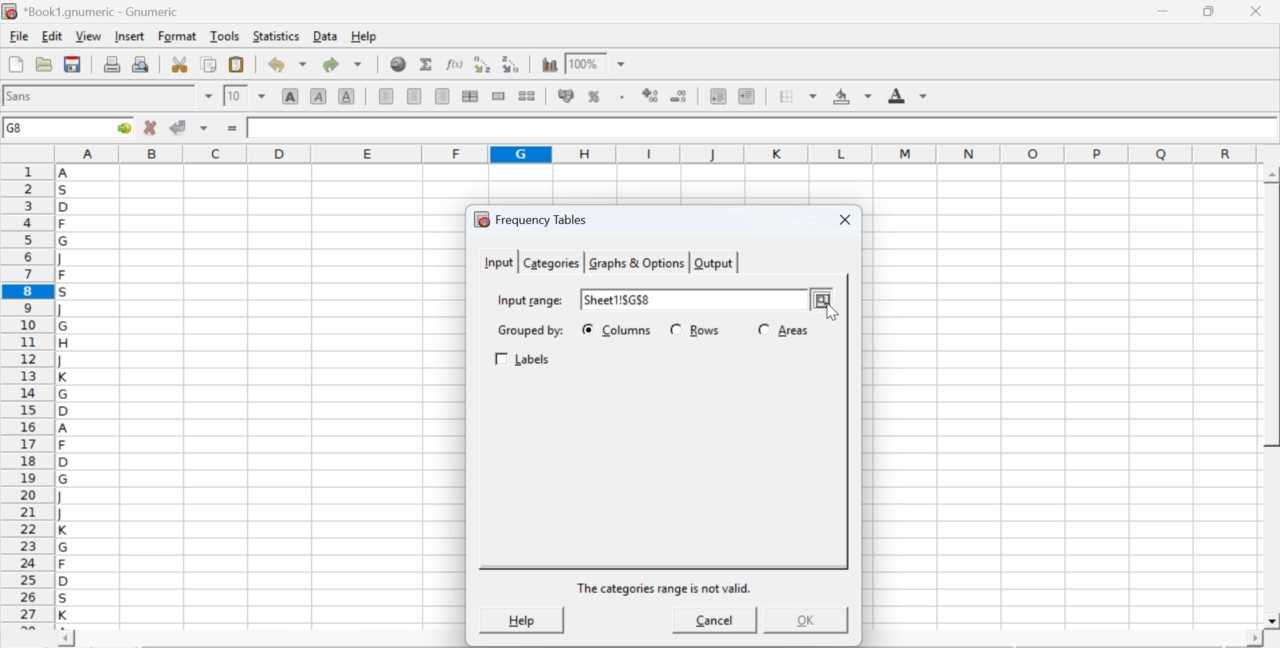 Image resolution: width=1280 pixels, height=648 pixels. What do you see at coordinates (529, 299) in the screenshot?
I see `input range:` at bounding box center [529, 299].